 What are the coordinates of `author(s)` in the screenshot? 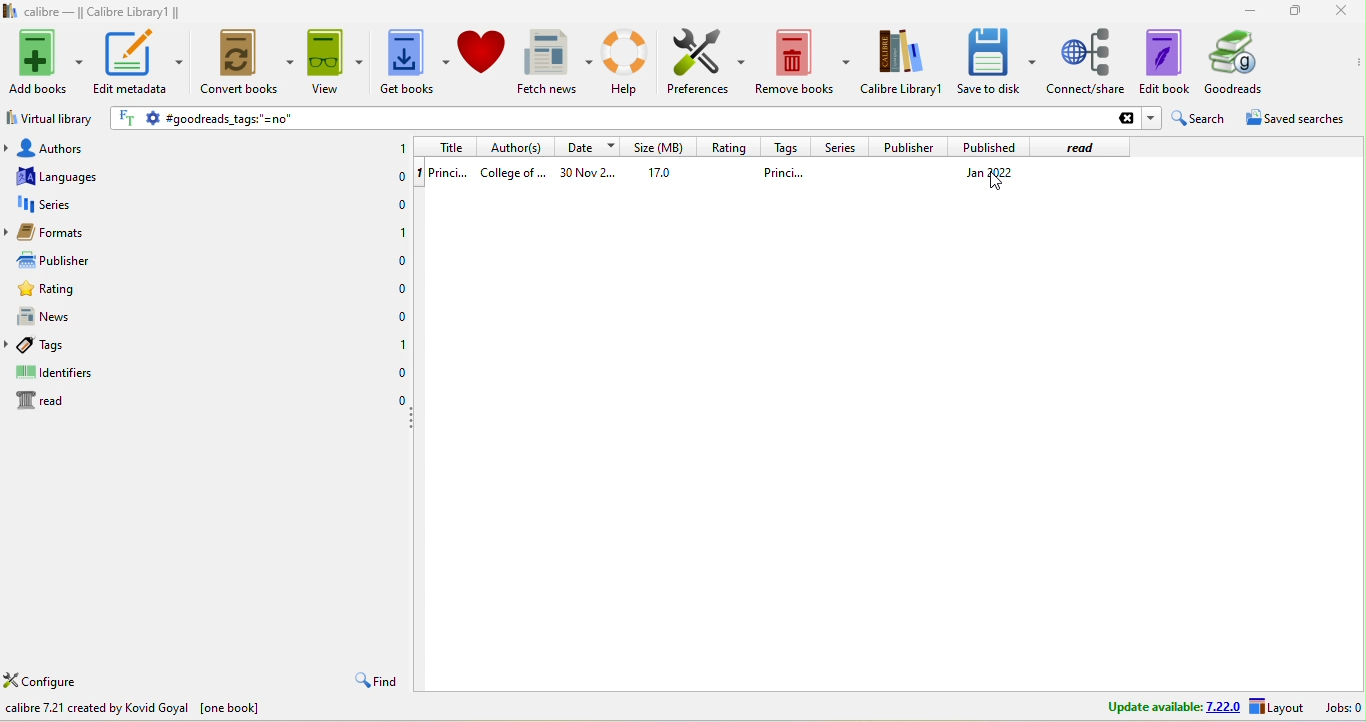 It's located at (514, 147).